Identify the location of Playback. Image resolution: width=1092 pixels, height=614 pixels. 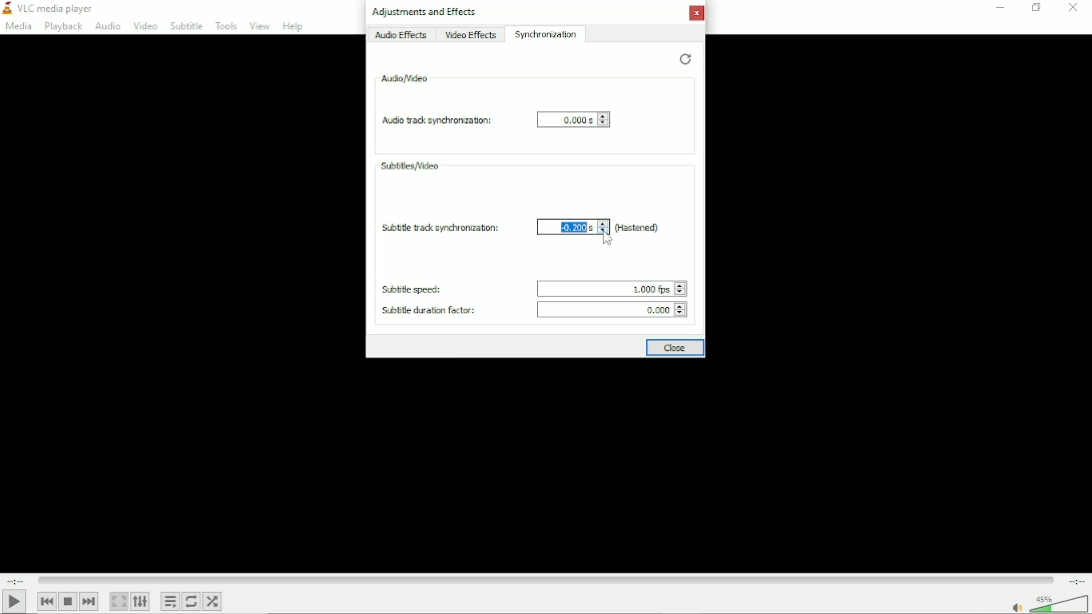
(62, 27).